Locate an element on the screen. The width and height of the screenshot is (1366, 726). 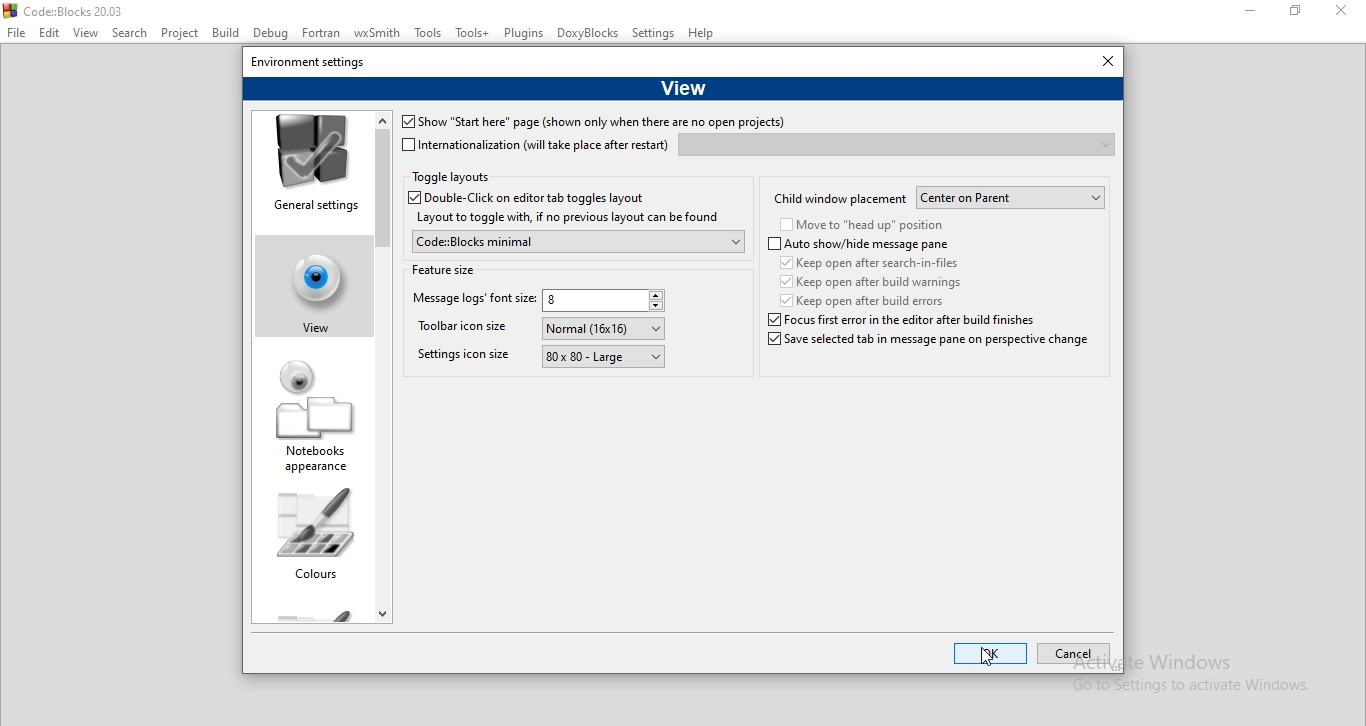
environment settings is located at coordinates (309, 60).